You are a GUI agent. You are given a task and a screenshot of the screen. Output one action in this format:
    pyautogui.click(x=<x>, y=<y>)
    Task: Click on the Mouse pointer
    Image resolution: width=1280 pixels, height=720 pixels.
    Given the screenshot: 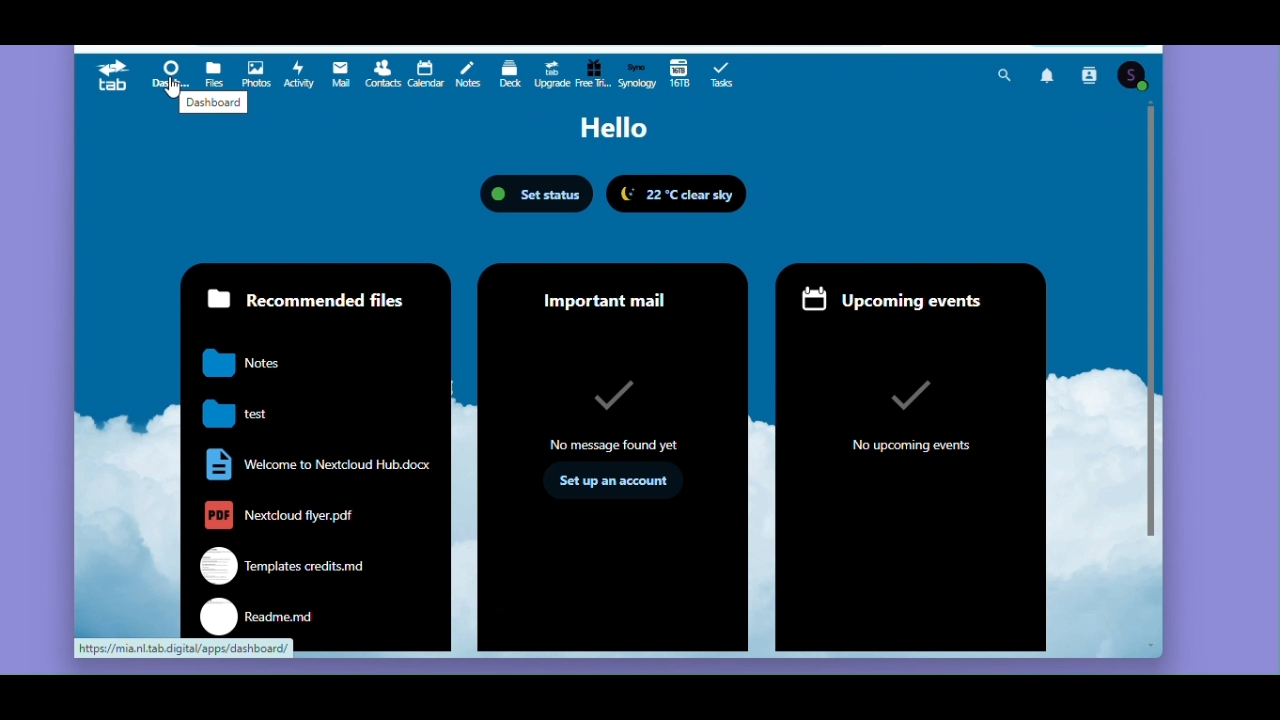 What is the action you would take?
    pyautogui.click(x=170, y=89)
    